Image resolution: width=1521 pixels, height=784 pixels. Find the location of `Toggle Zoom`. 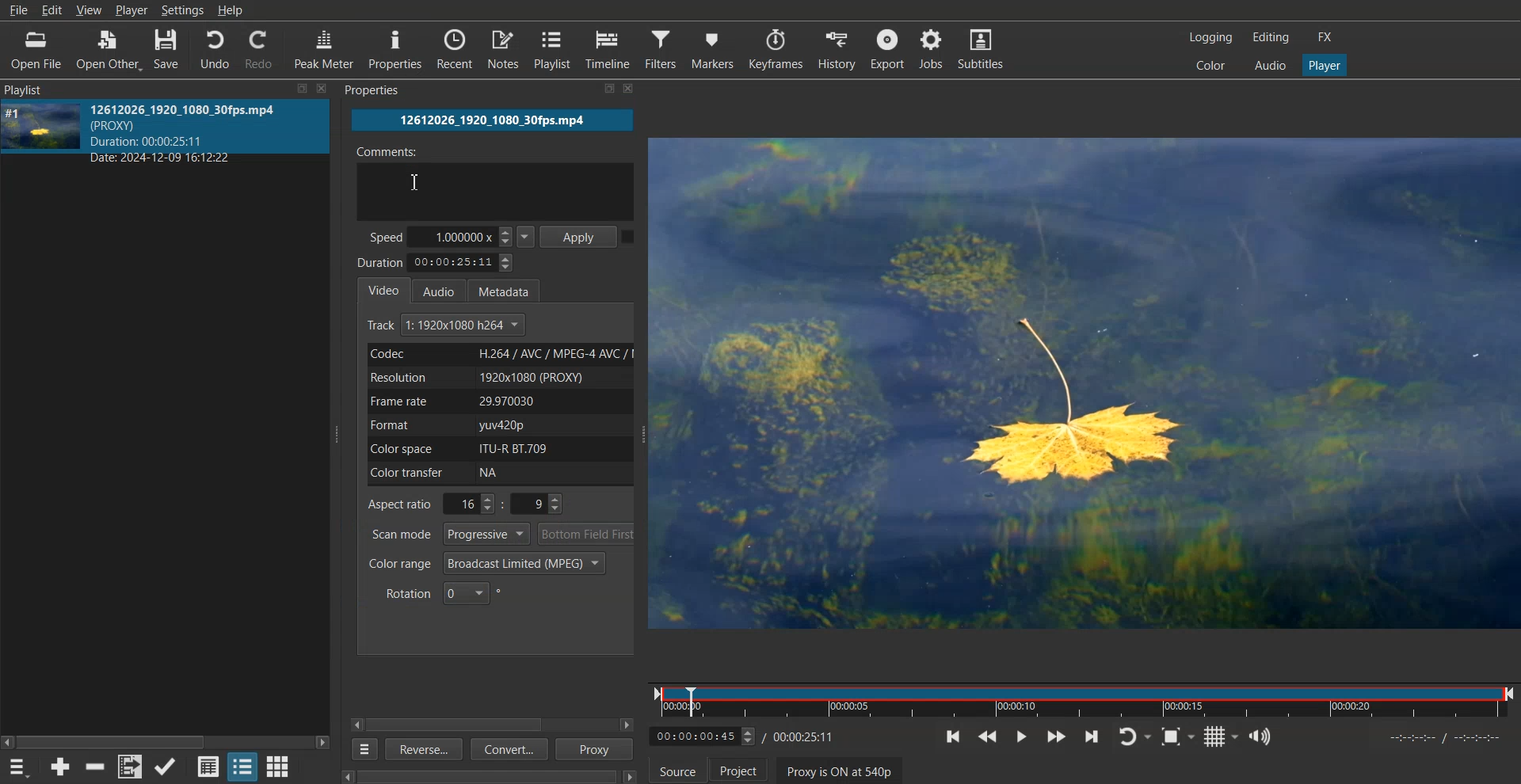

Toggle Zoom is located at coordinates (1178, 736).